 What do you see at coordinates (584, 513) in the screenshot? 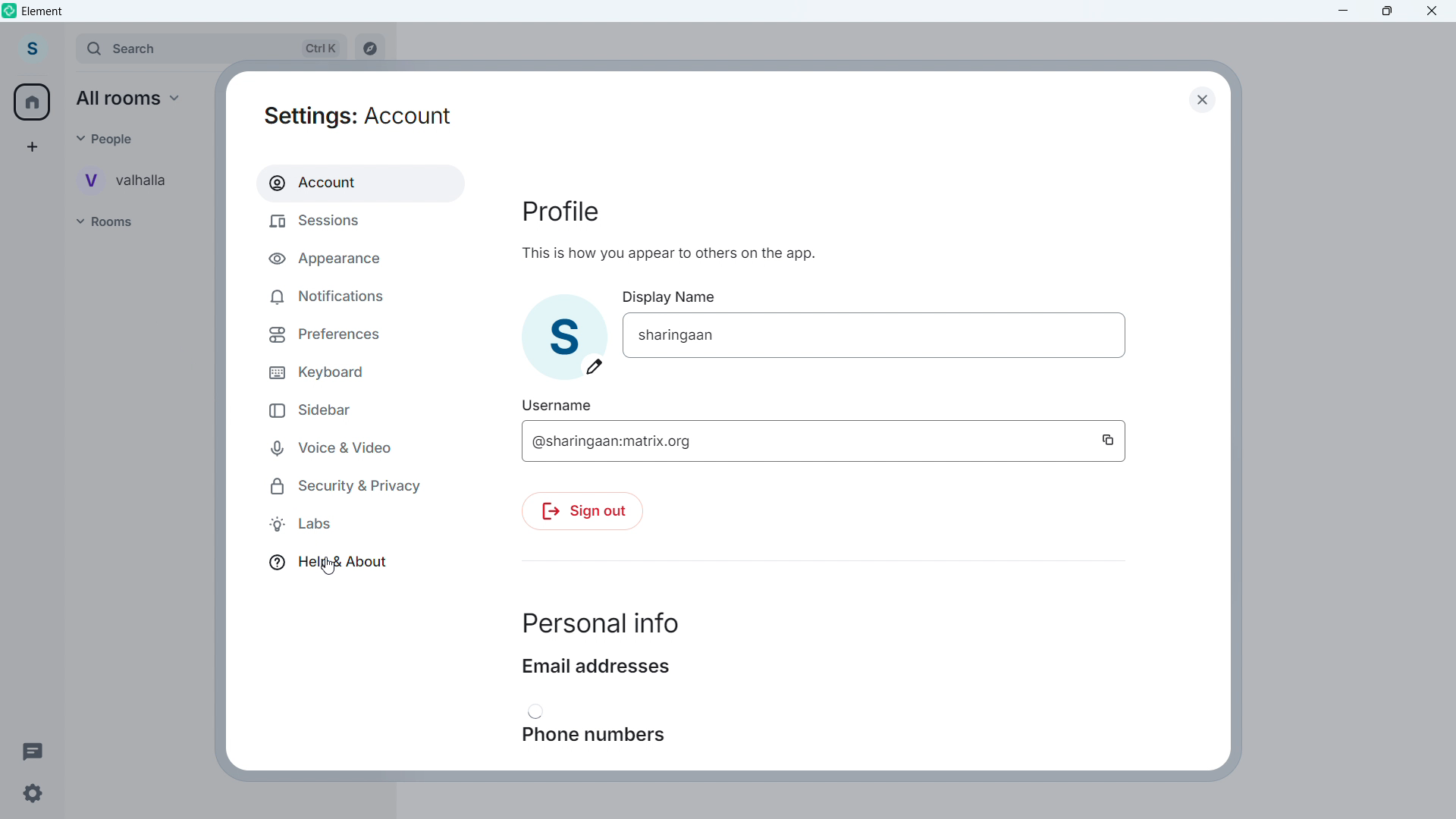
I see `Sign out ` at bounding box center [584, 513].